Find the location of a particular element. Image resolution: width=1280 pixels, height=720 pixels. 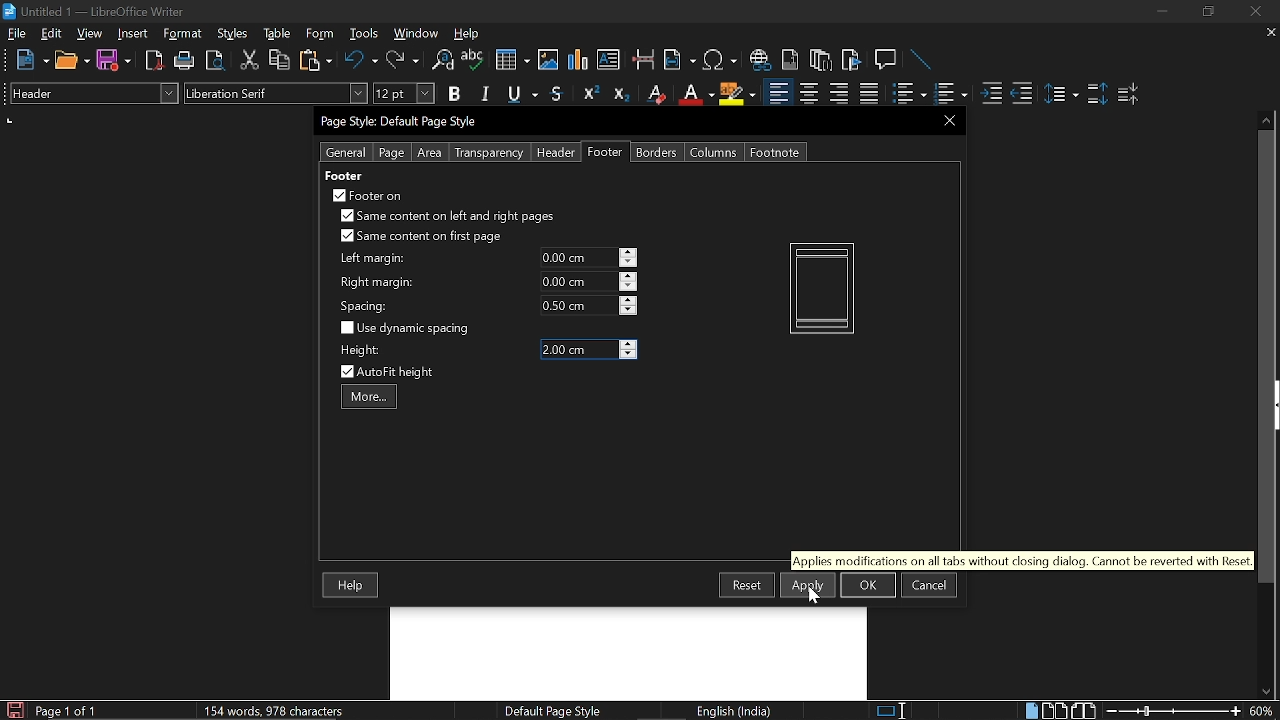

view is located at coordinates (90, 33).